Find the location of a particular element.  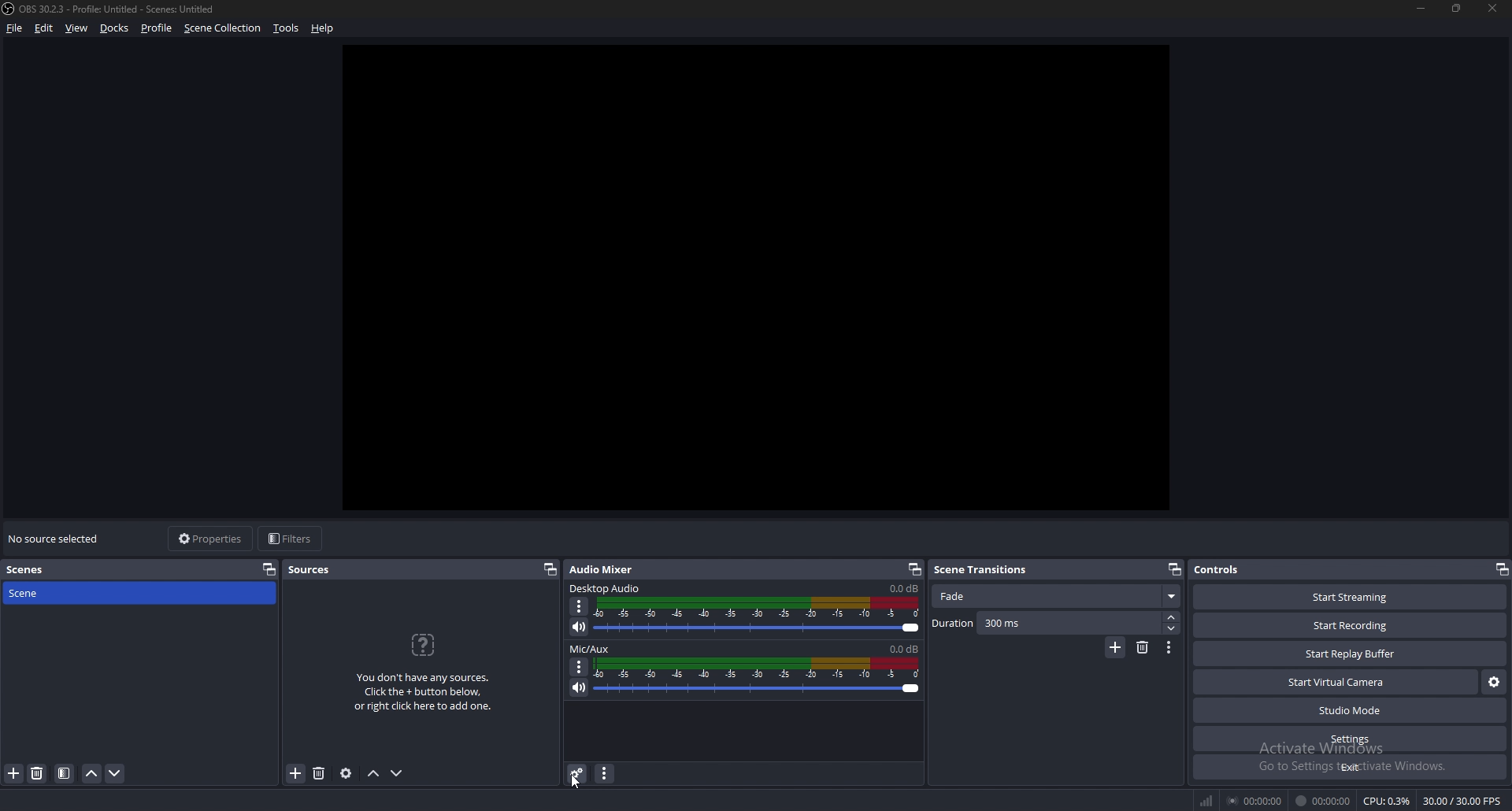

filter is located at coordinates (65, 773).